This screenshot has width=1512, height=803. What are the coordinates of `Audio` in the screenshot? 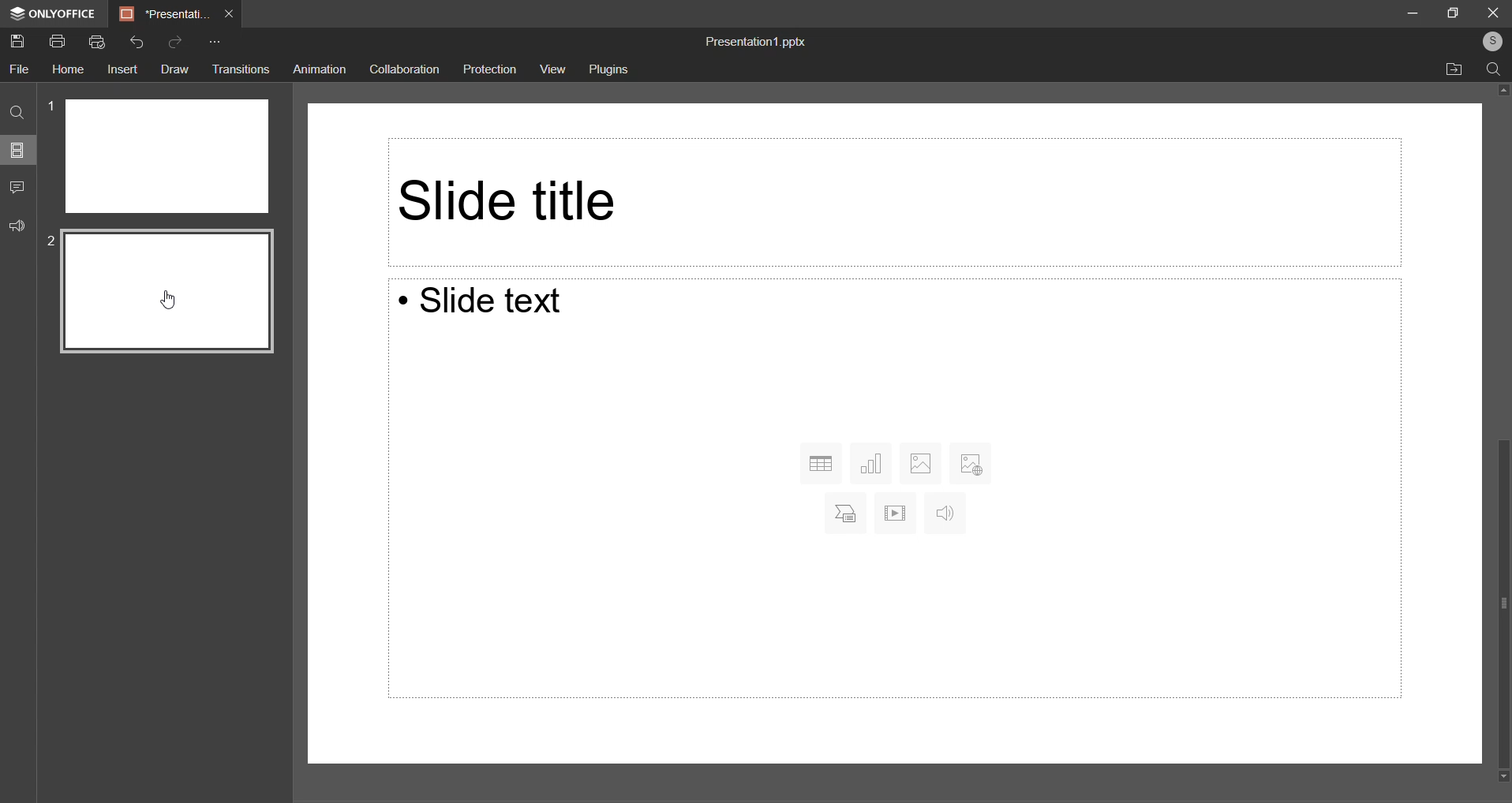 It's located at (943, 514).